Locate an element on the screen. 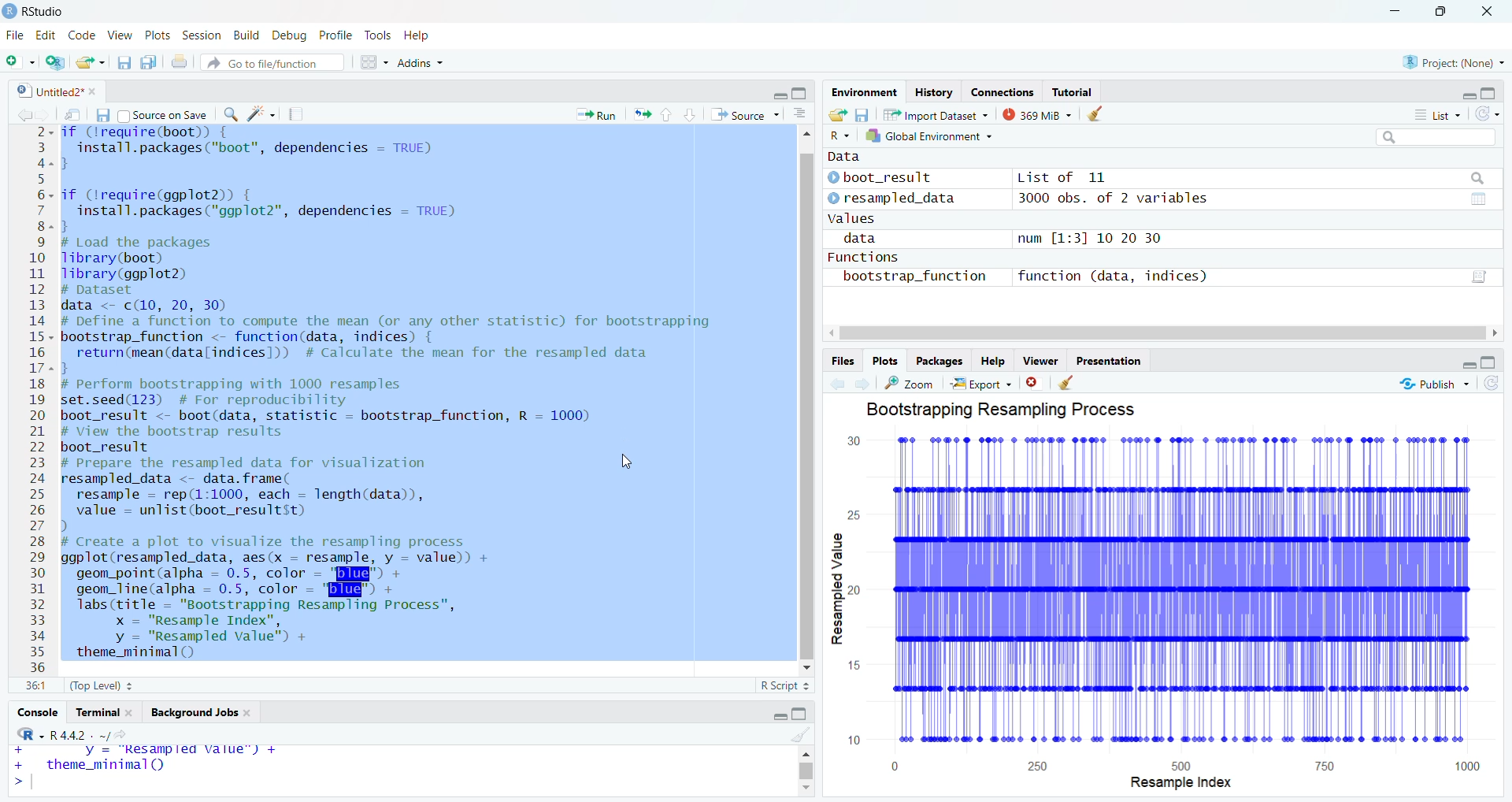  hide r script is located at coordinates (1462, 95).